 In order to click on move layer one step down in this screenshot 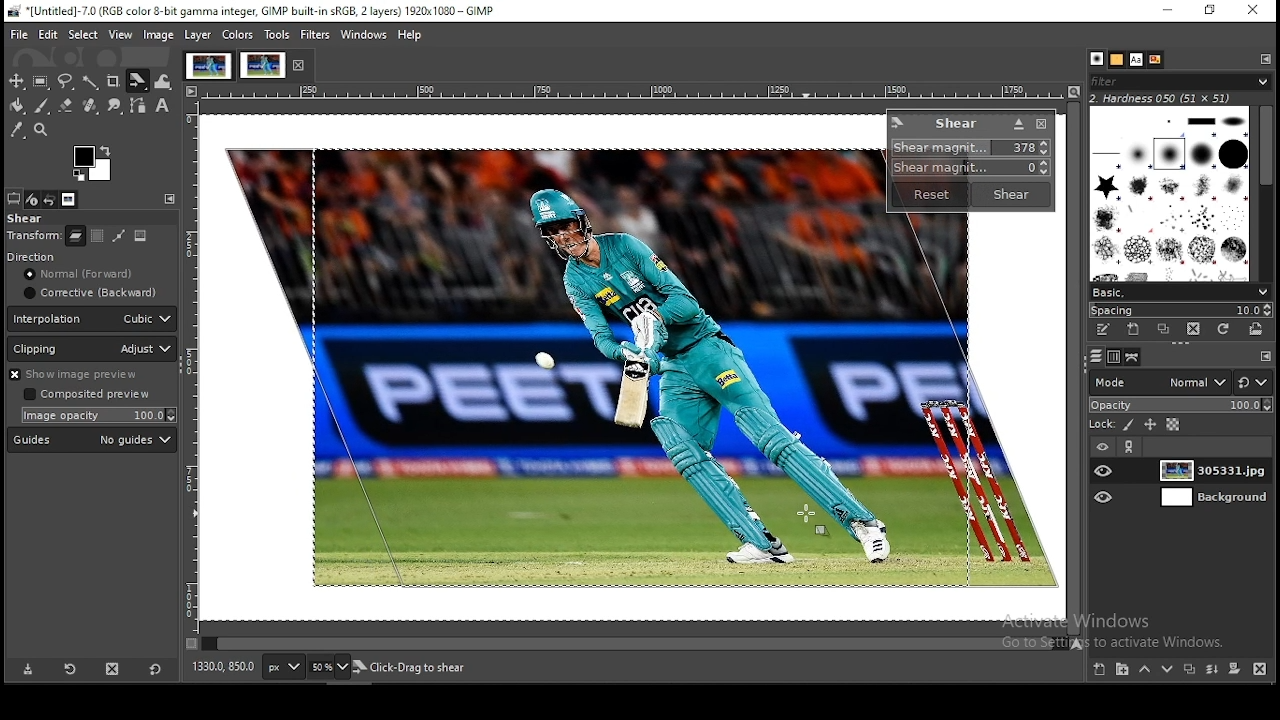, I will do `click(1169, 670)`.